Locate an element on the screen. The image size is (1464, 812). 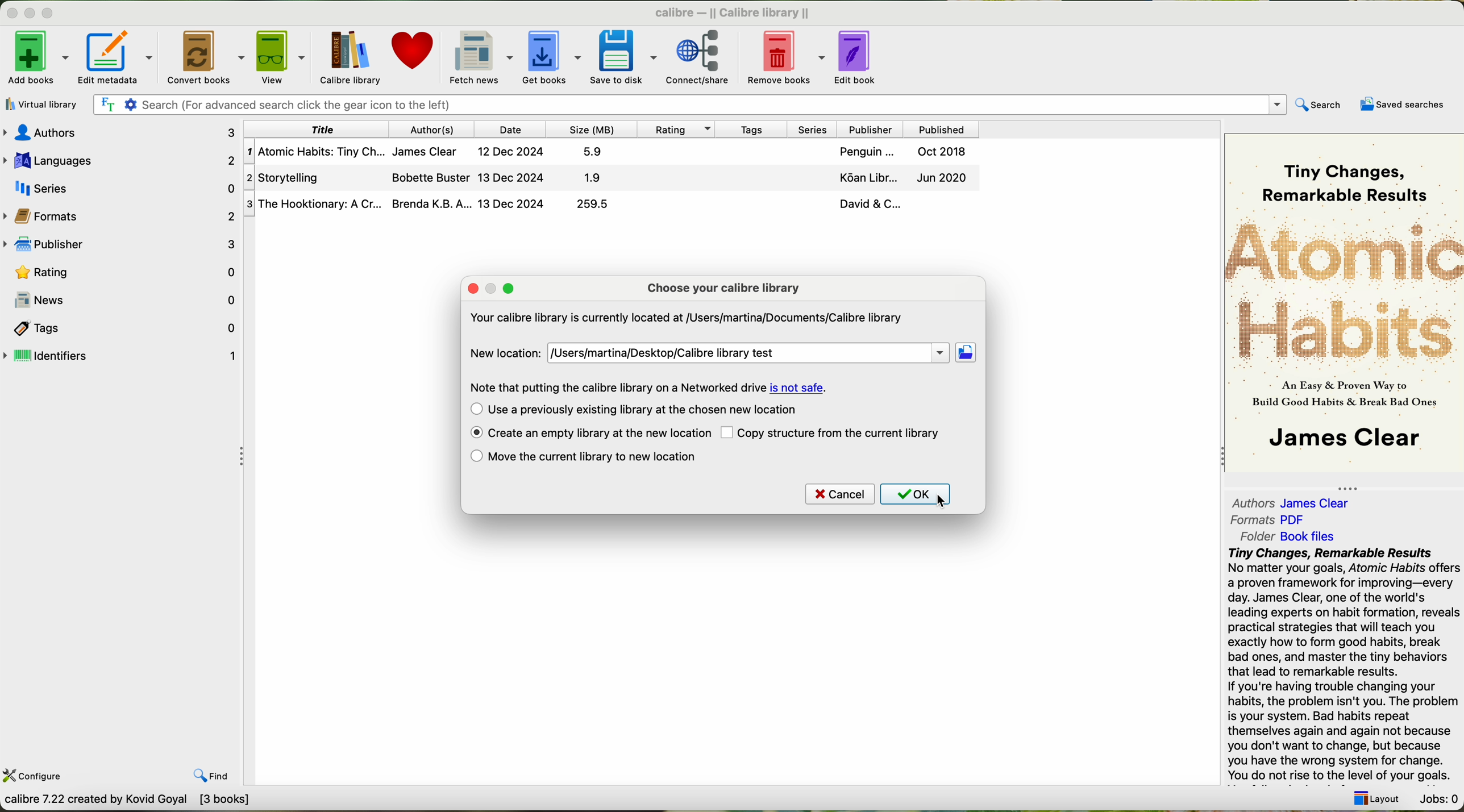
Tiny Changes, Remarkable Results
No matter your goals, Atomic Habits o
a proven framework for improving—ev
day. James Clear, one of the world's
leading experts on habit formation, rex
practical strategies that will teach you
exactly how to form good habits, brea
bad ones, and master the tiny behavio
that lead to remarkable results.

If you're having trouble changing your
habits, the problem isn't you. The prok
is your system. Bad habits repeat
themselves again and again not becat
you don't want to change, but becaus
vou have the wrona svstem for chanas is located at coordinates (1342, 663).